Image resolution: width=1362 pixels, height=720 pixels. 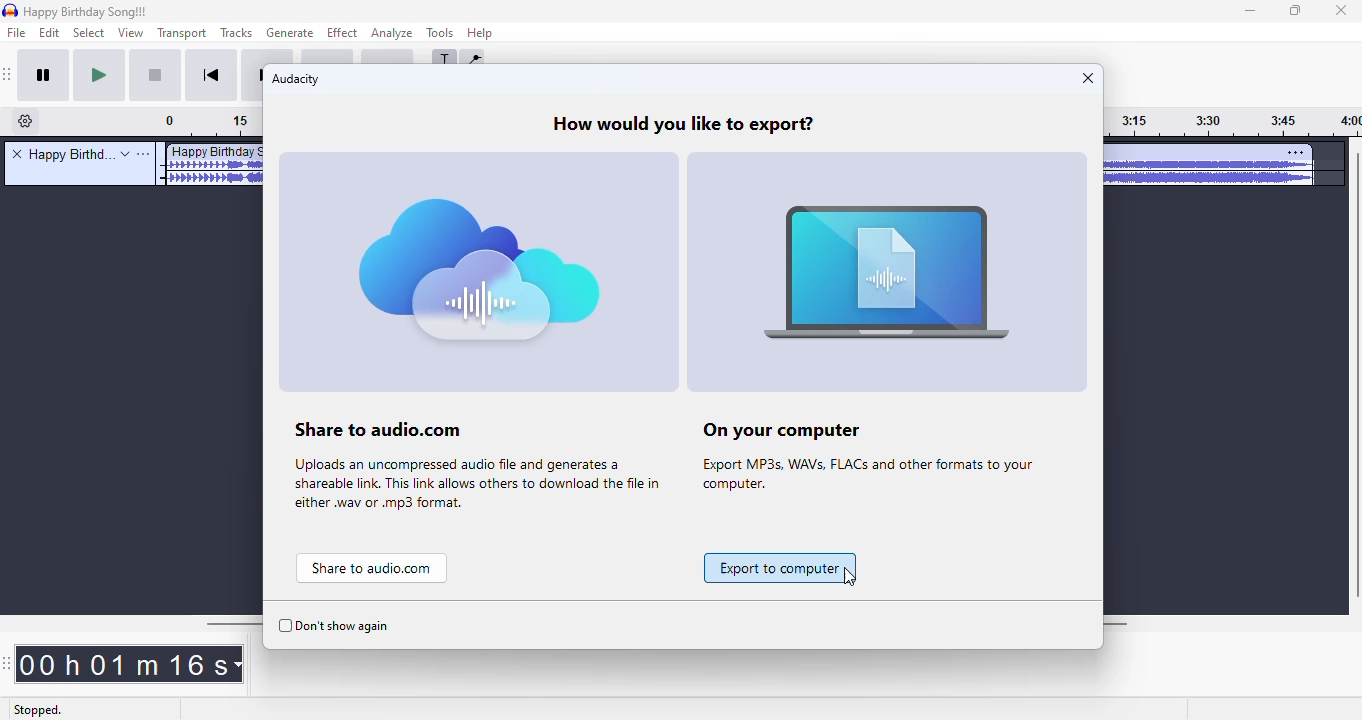 I want to click on vertical scroll bar, so click(x=1353, y=376).